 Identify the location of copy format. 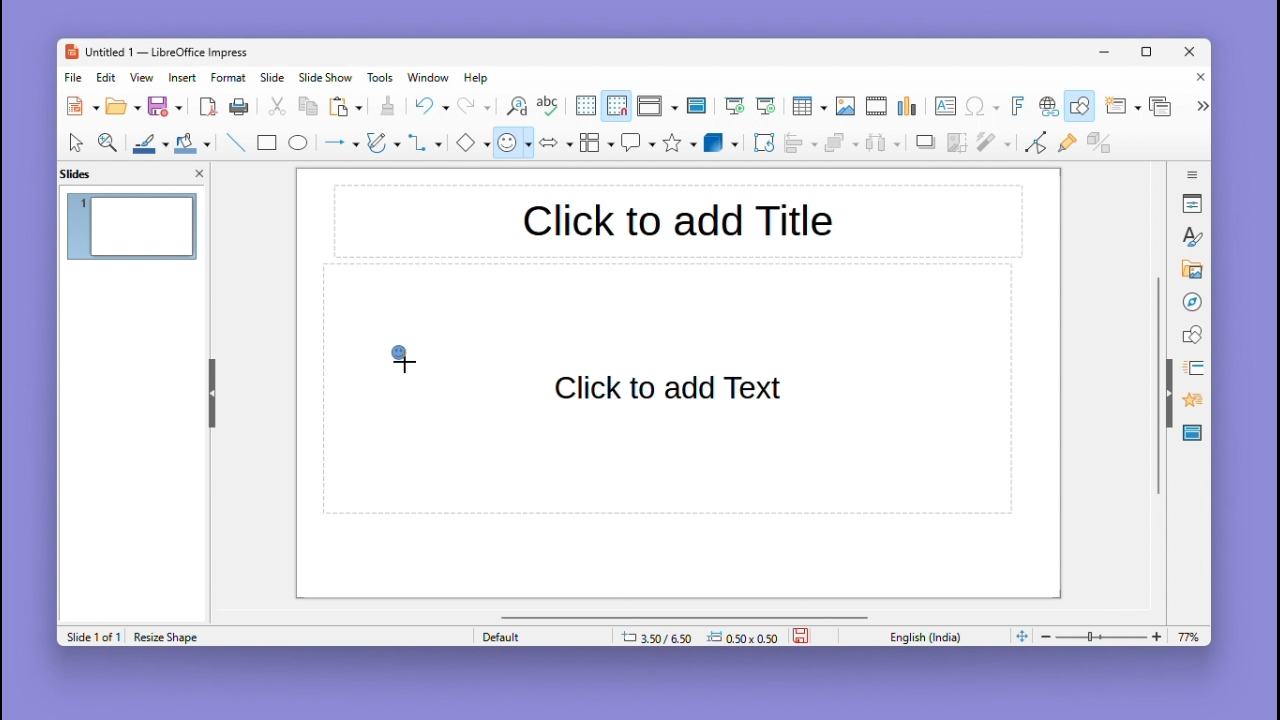
(386, 108).